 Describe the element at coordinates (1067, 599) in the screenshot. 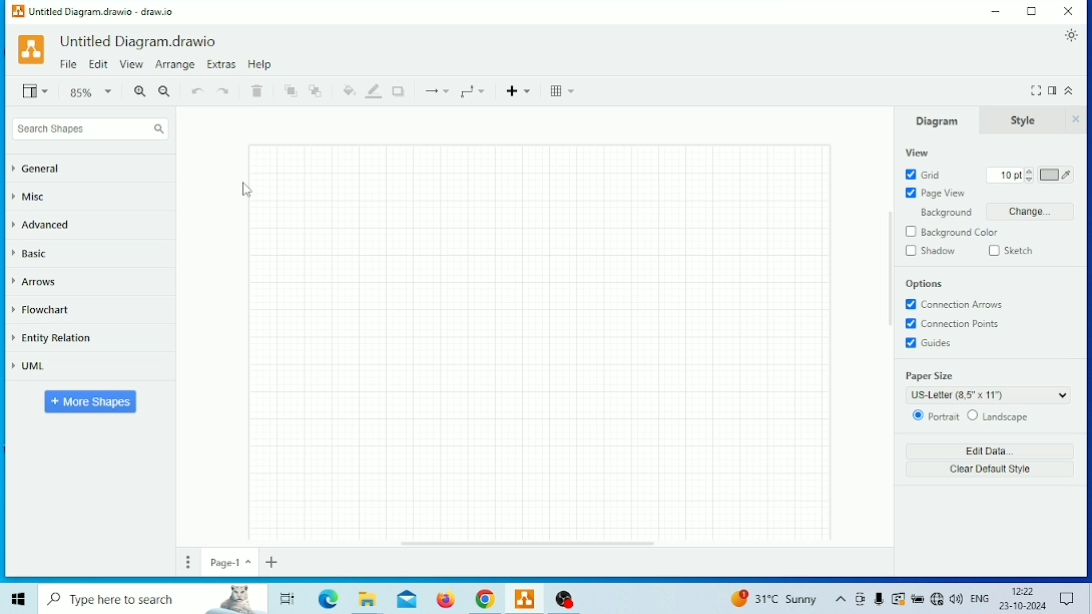

I see `Notifications` at that location.